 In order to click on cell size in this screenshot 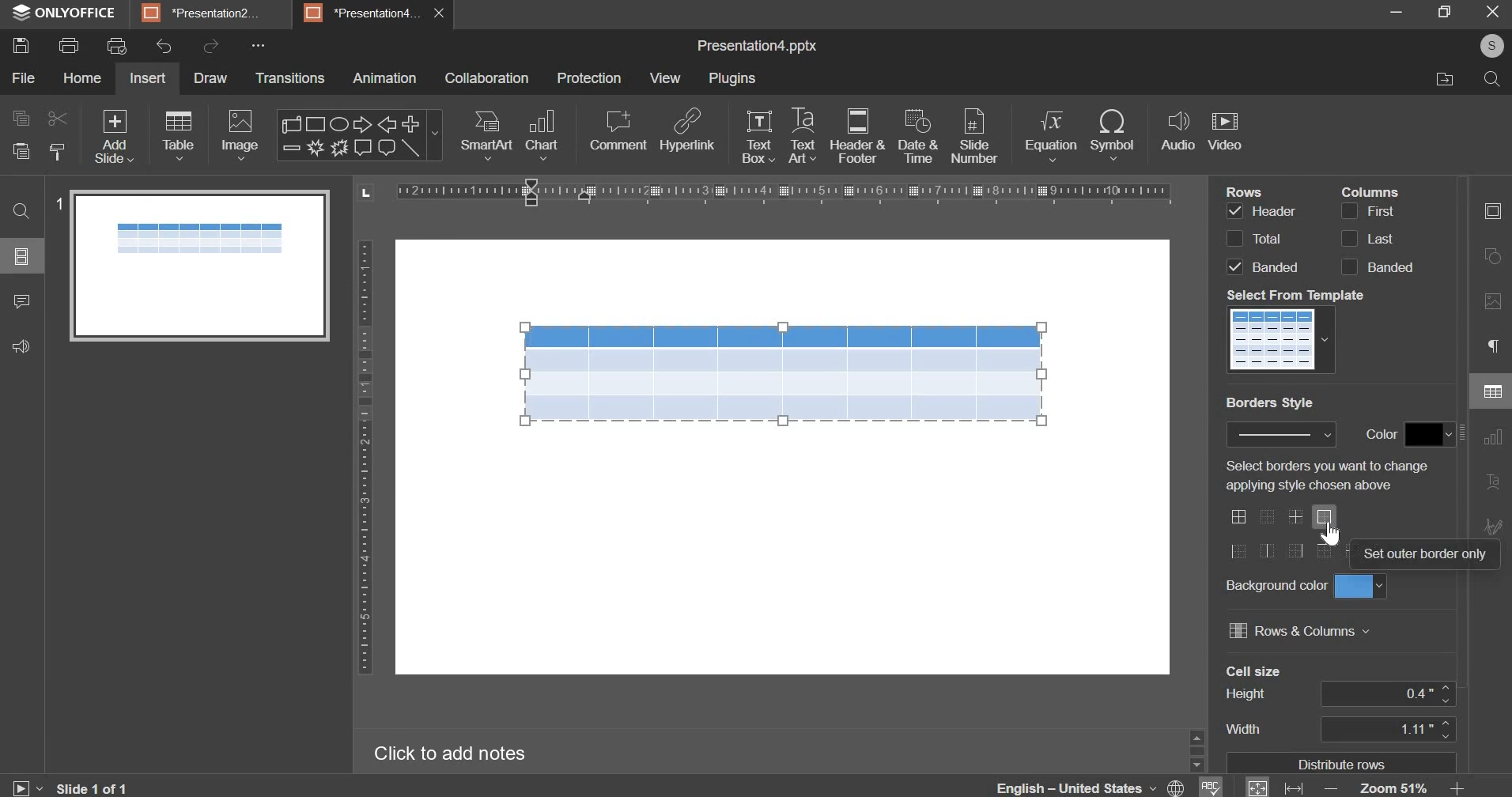, I will do `click(1253, 672)`.